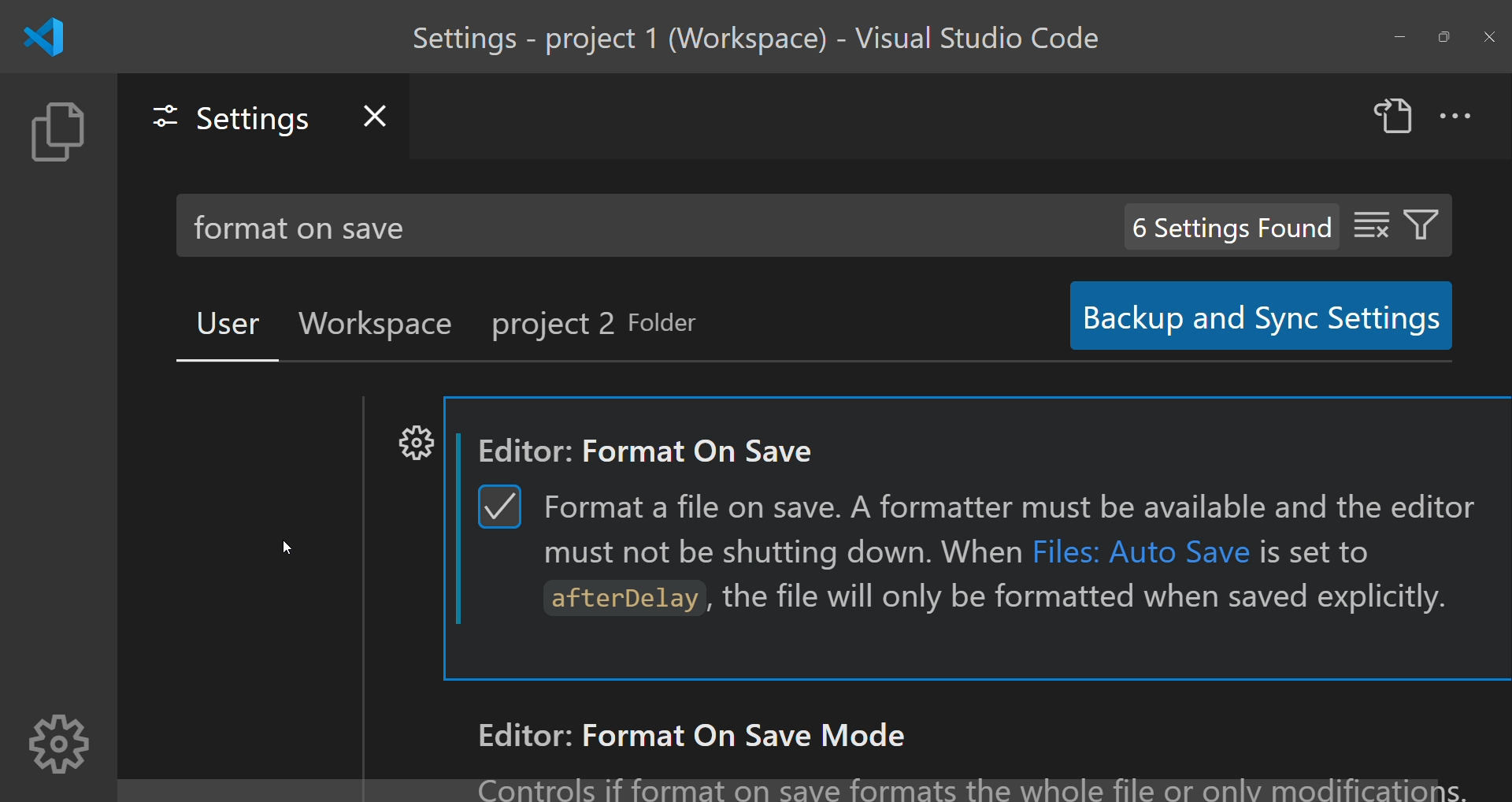 Image resolution: width=1512 pixels, height=802 pixels. I want to click on settings, so click(224, 116).